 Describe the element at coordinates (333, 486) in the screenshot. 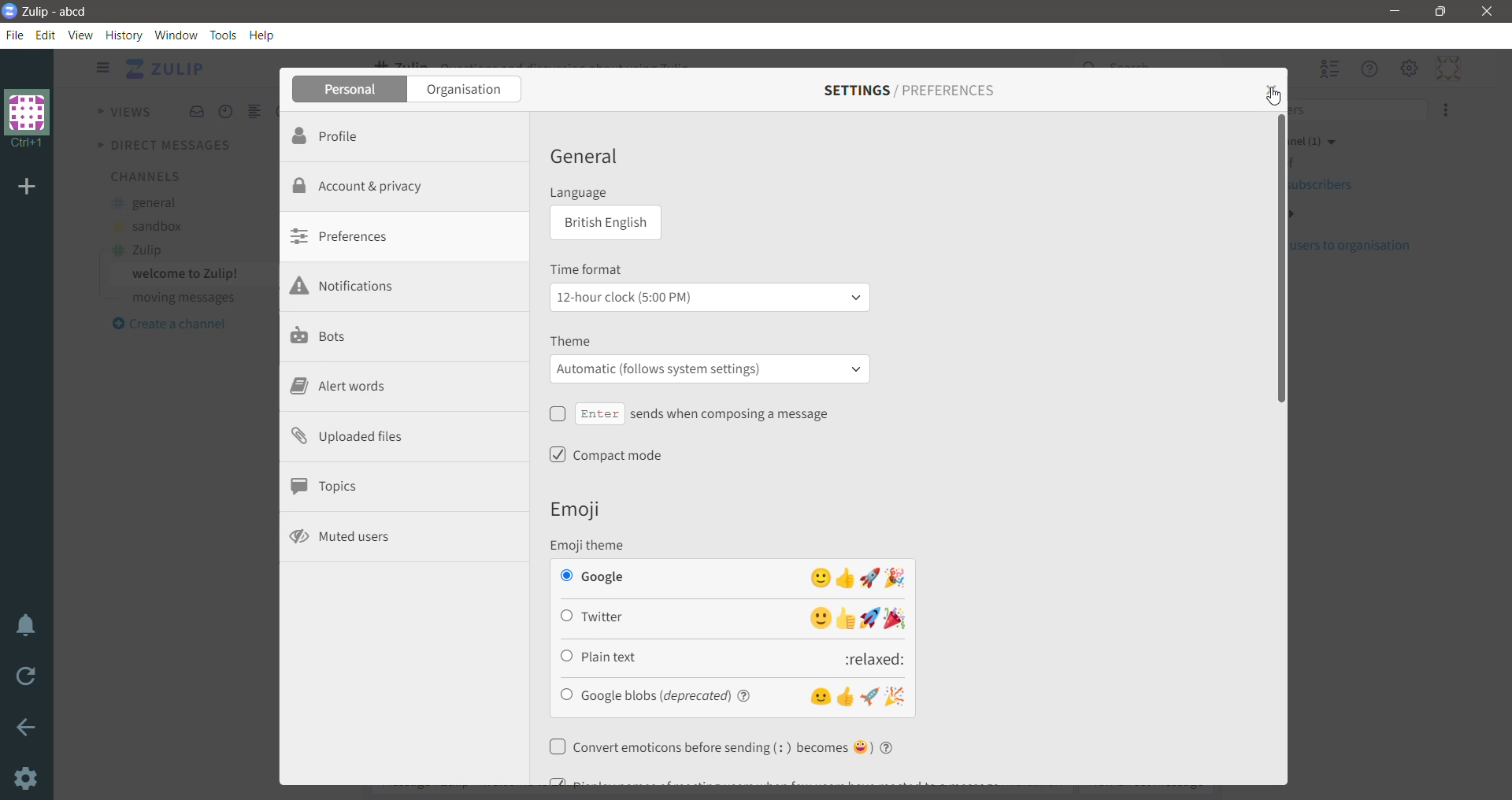

I see `Topics` at that location.